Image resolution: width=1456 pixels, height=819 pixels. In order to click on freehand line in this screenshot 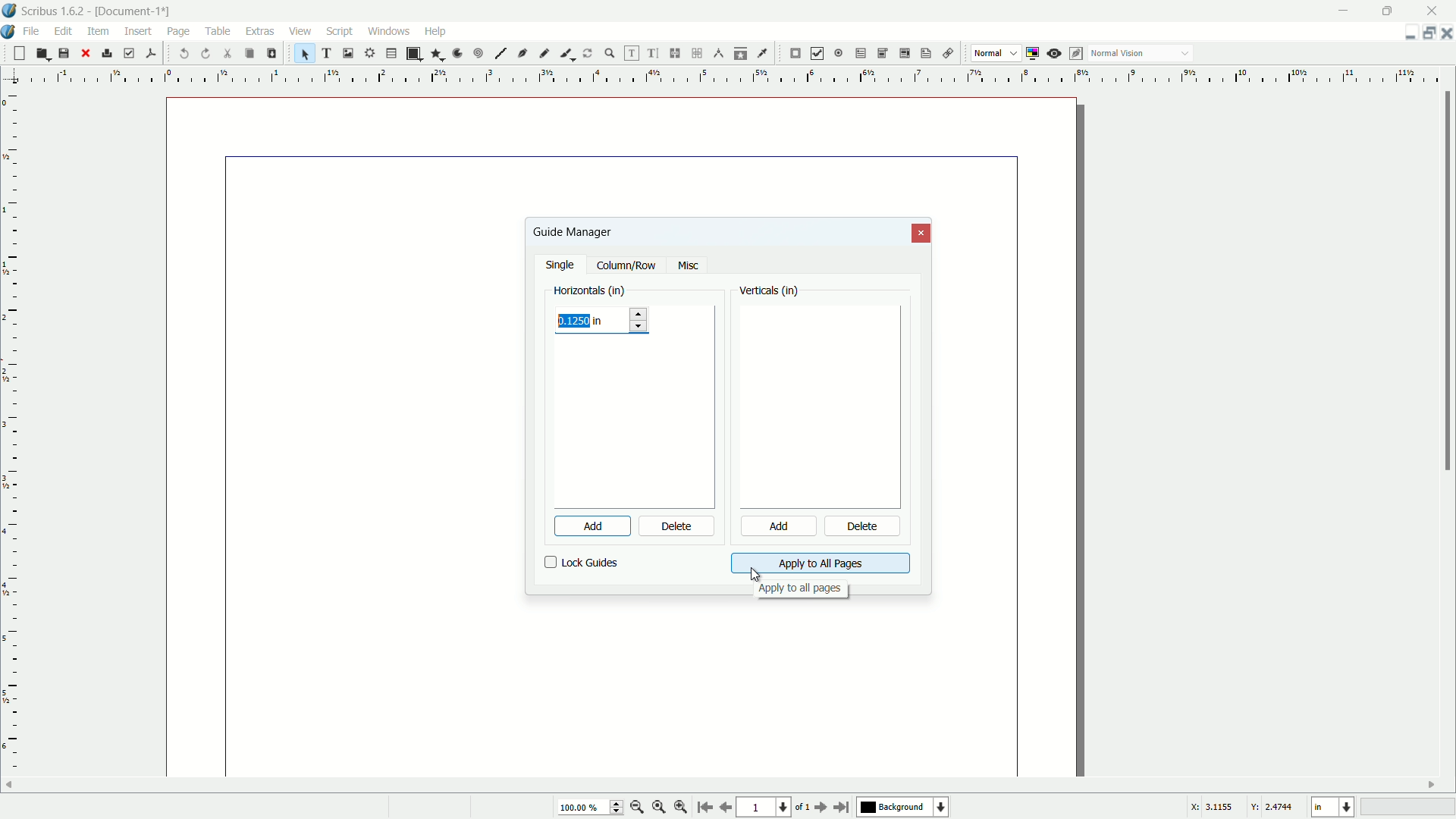, I will do `click(545, 53)`.